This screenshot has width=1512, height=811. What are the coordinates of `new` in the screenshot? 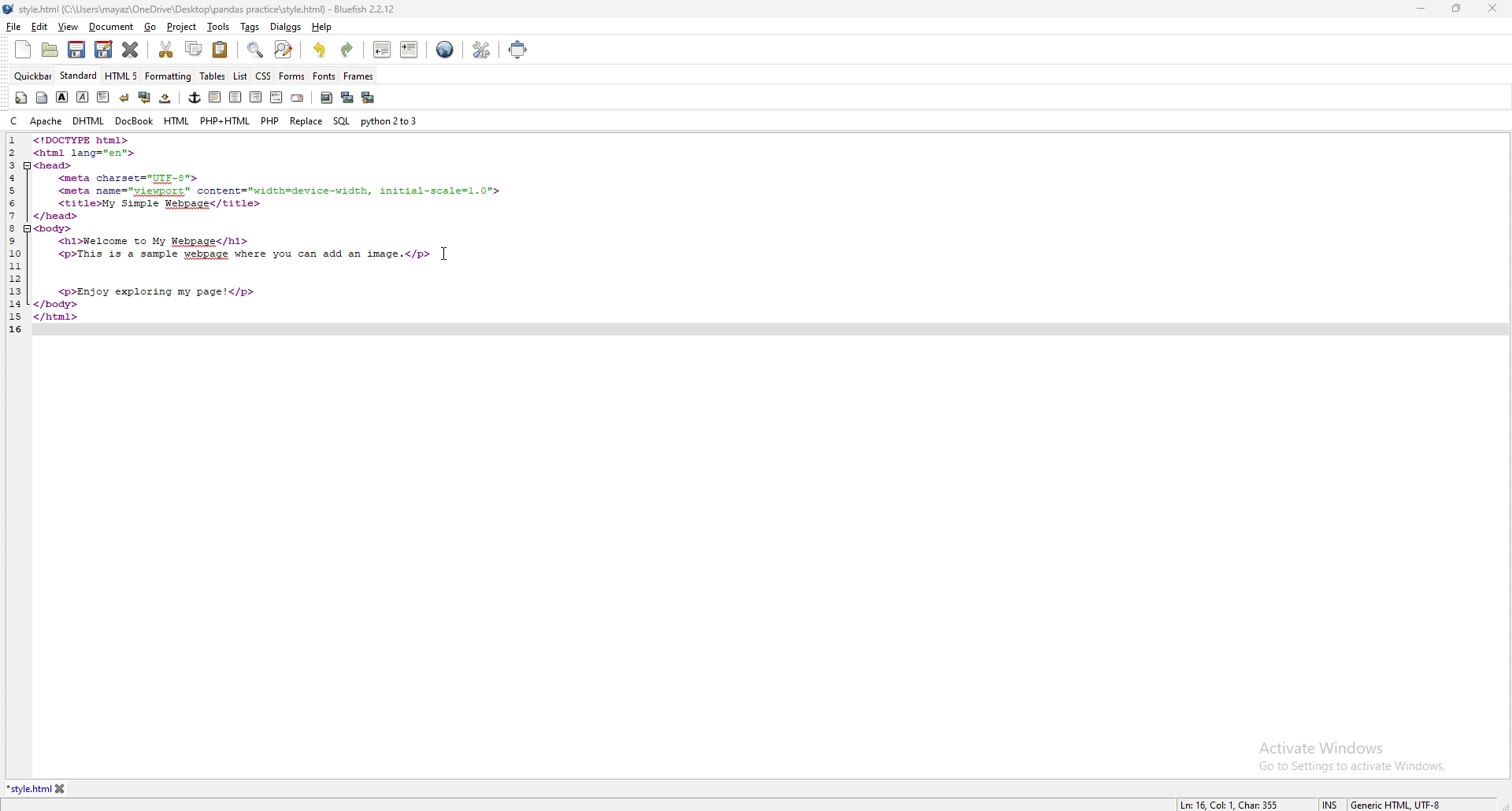 It's located at (24, 50).